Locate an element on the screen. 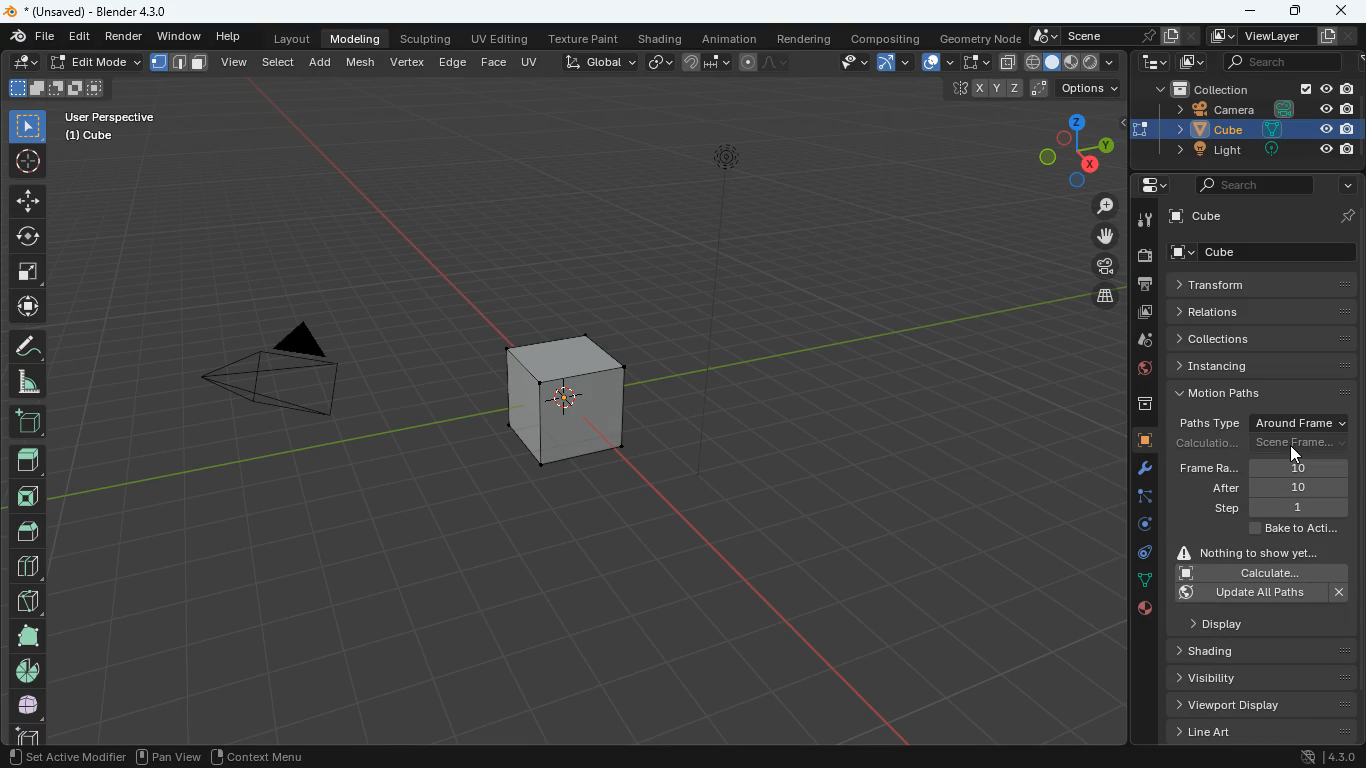  search is located at coordinates (1254, 184).